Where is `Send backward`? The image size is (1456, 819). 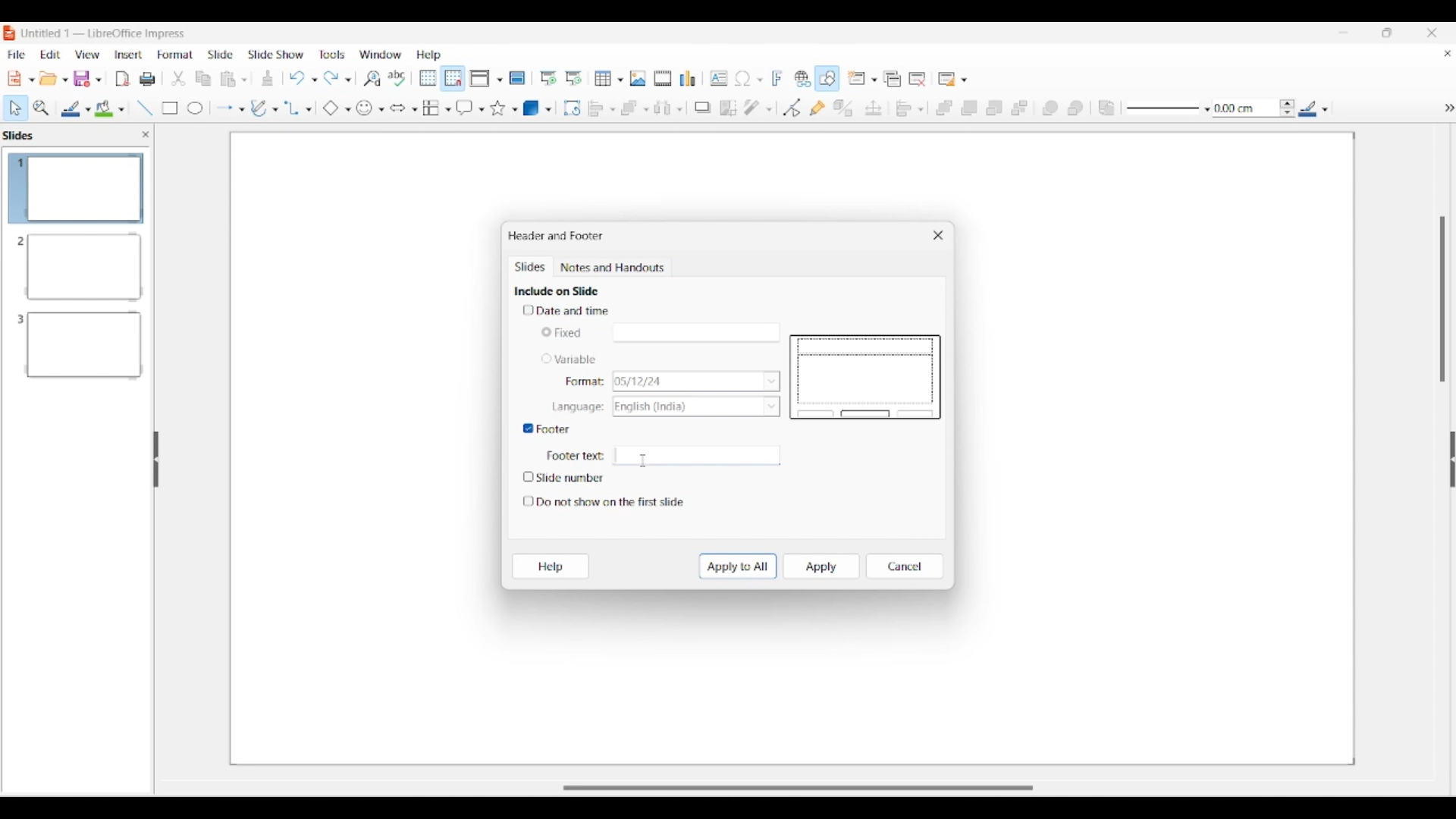 Send backward is located at coordinates (995, 108).